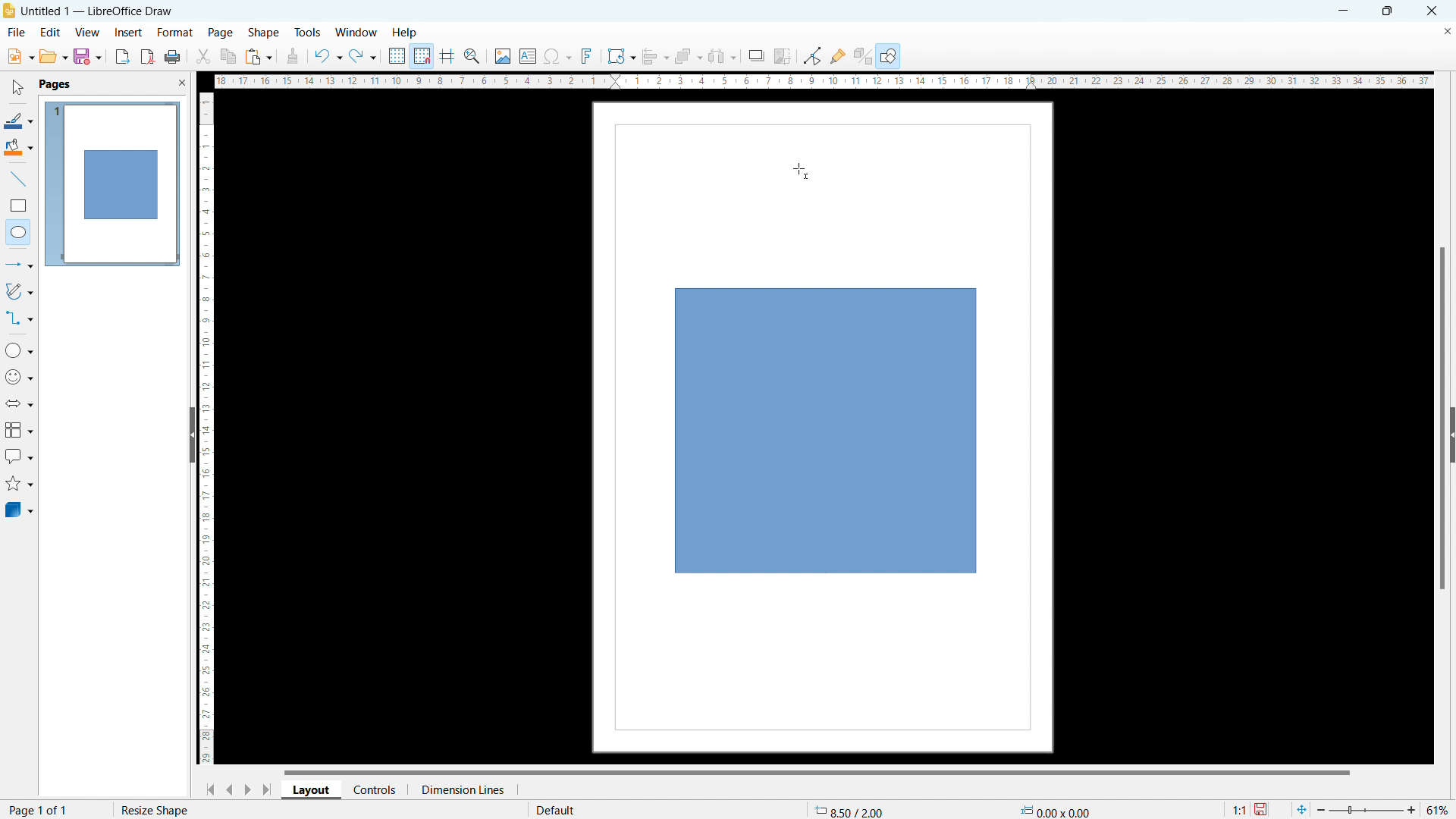 The height and width of the screenshot is (819, 1456). What do you see at coordinates (100, 11) in the screenshot?
I see `document title` at bounding box center [100, 11].